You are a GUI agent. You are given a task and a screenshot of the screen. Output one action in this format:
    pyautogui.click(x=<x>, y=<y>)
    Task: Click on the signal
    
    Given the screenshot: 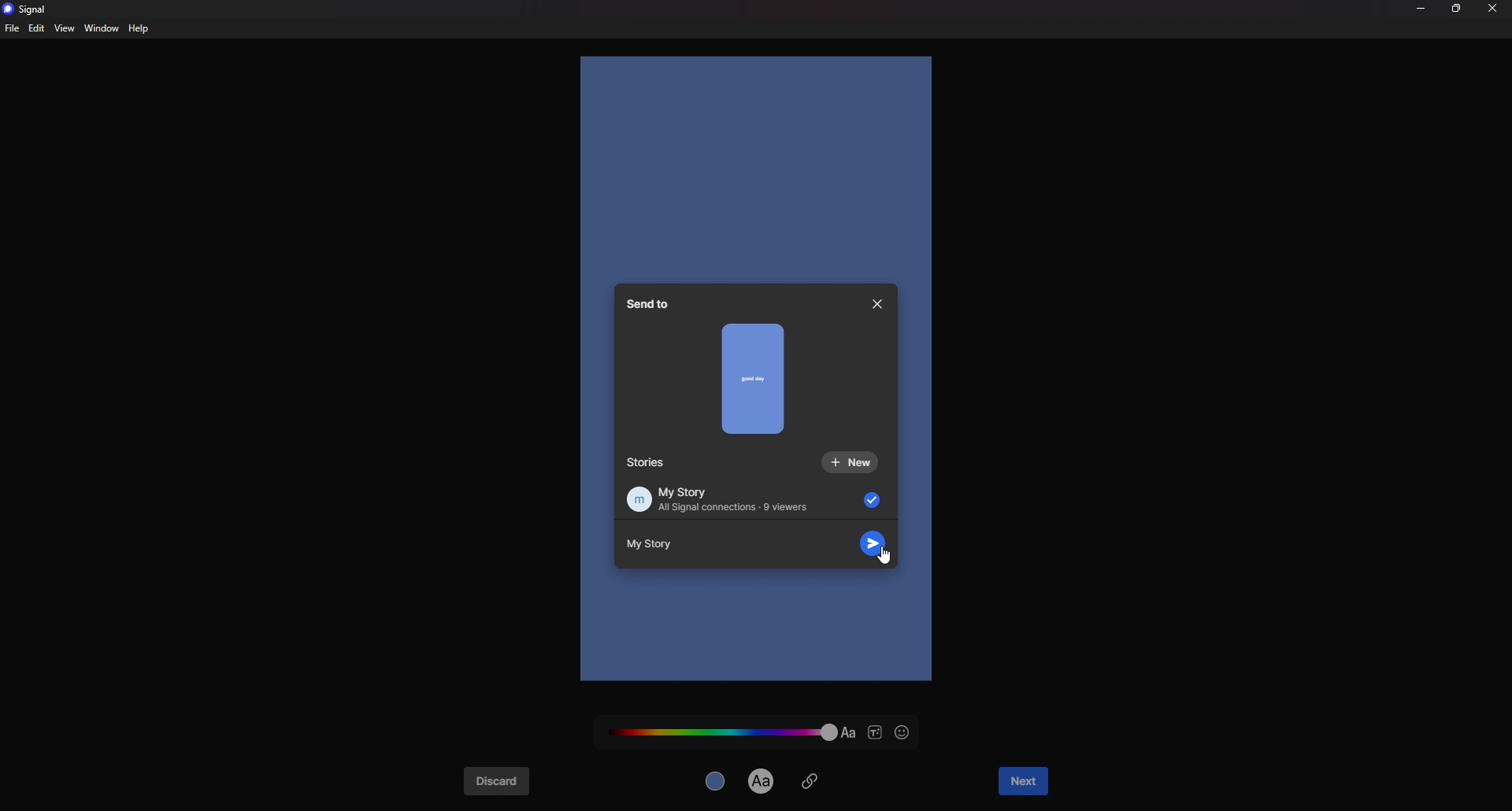 What is the action you would take?
    pyautogui.click(x=29, y=9)
    